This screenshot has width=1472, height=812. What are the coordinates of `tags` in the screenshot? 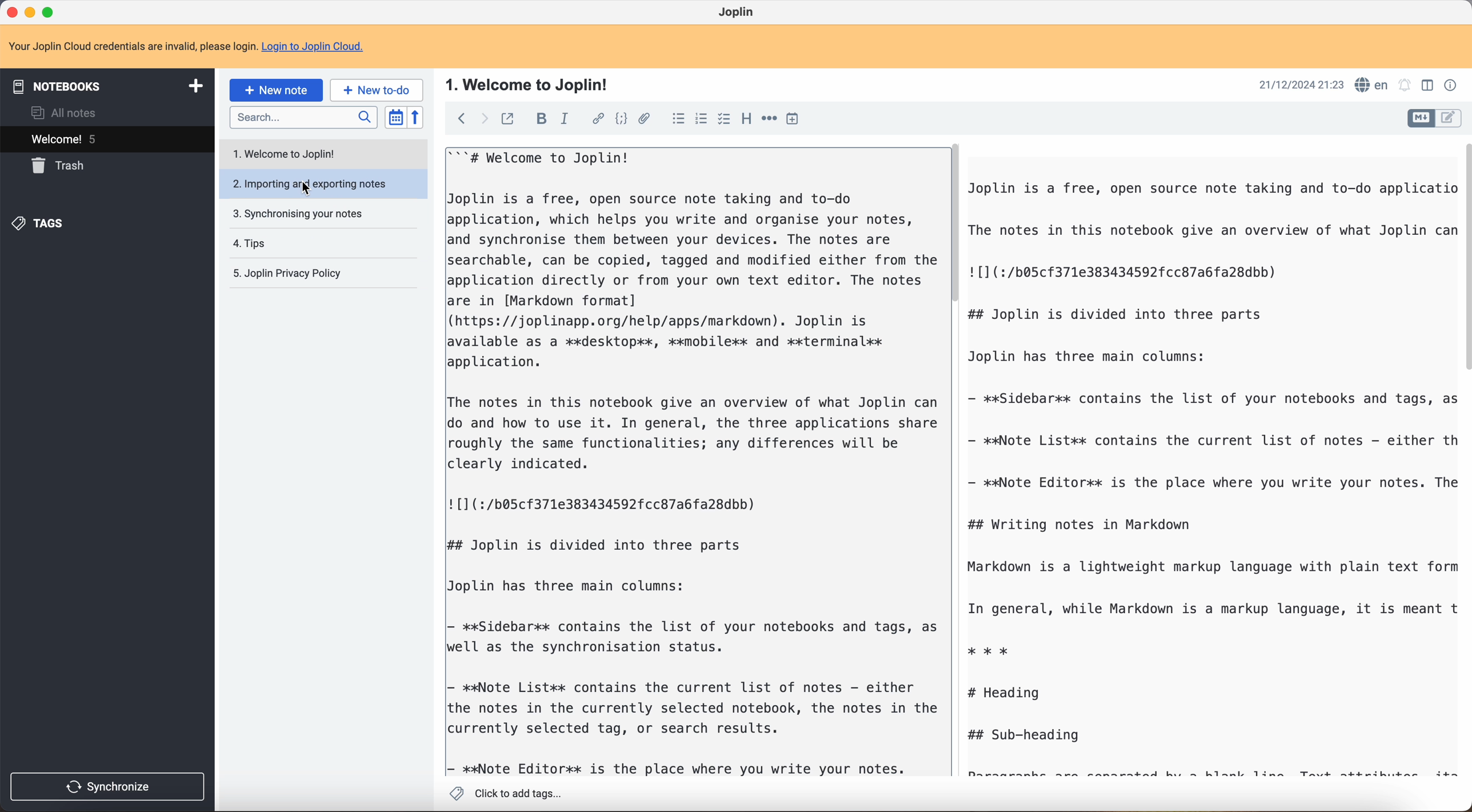 It's located at (42, 224).